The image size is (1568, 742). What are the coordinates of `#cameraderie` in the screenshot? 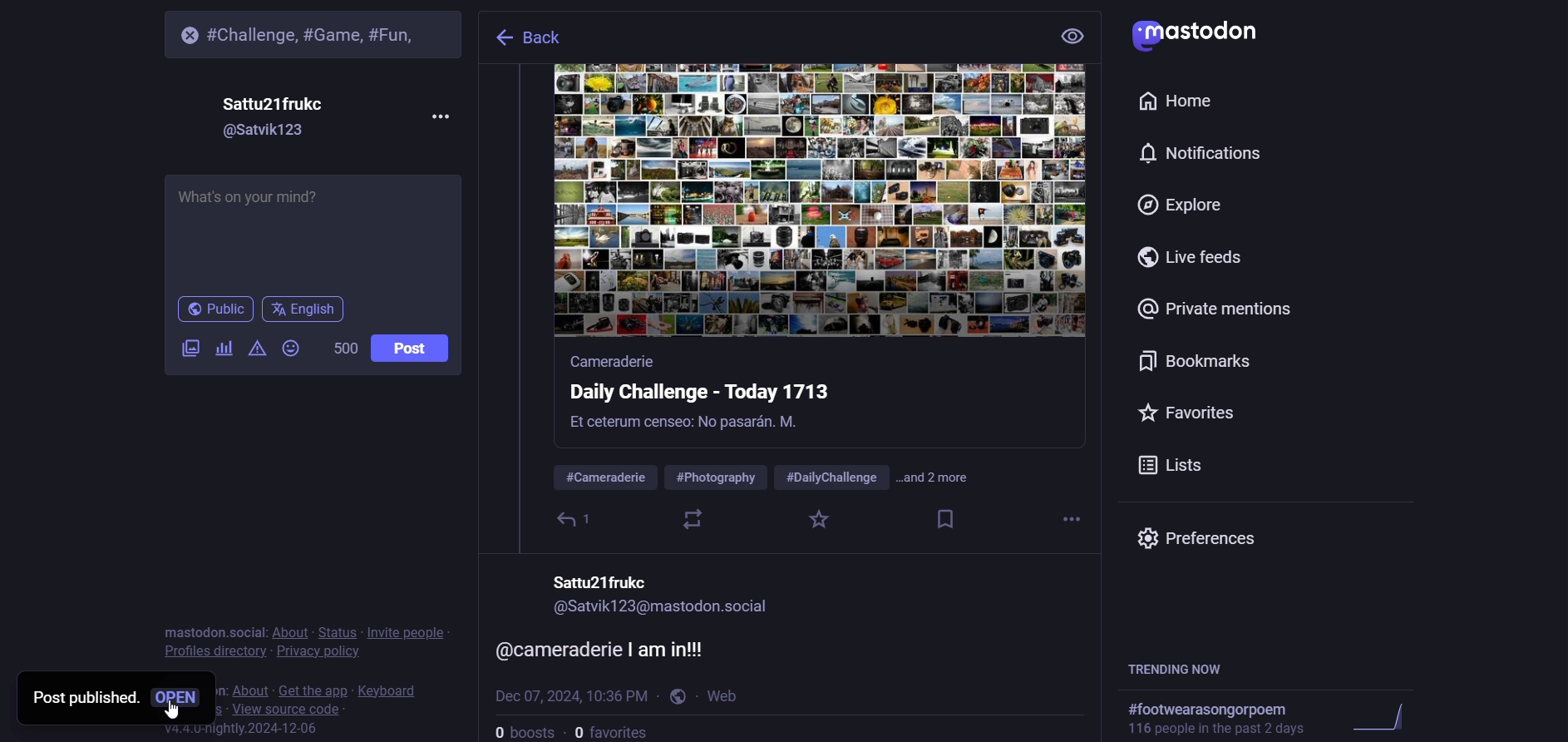 It's located at (603, 477).